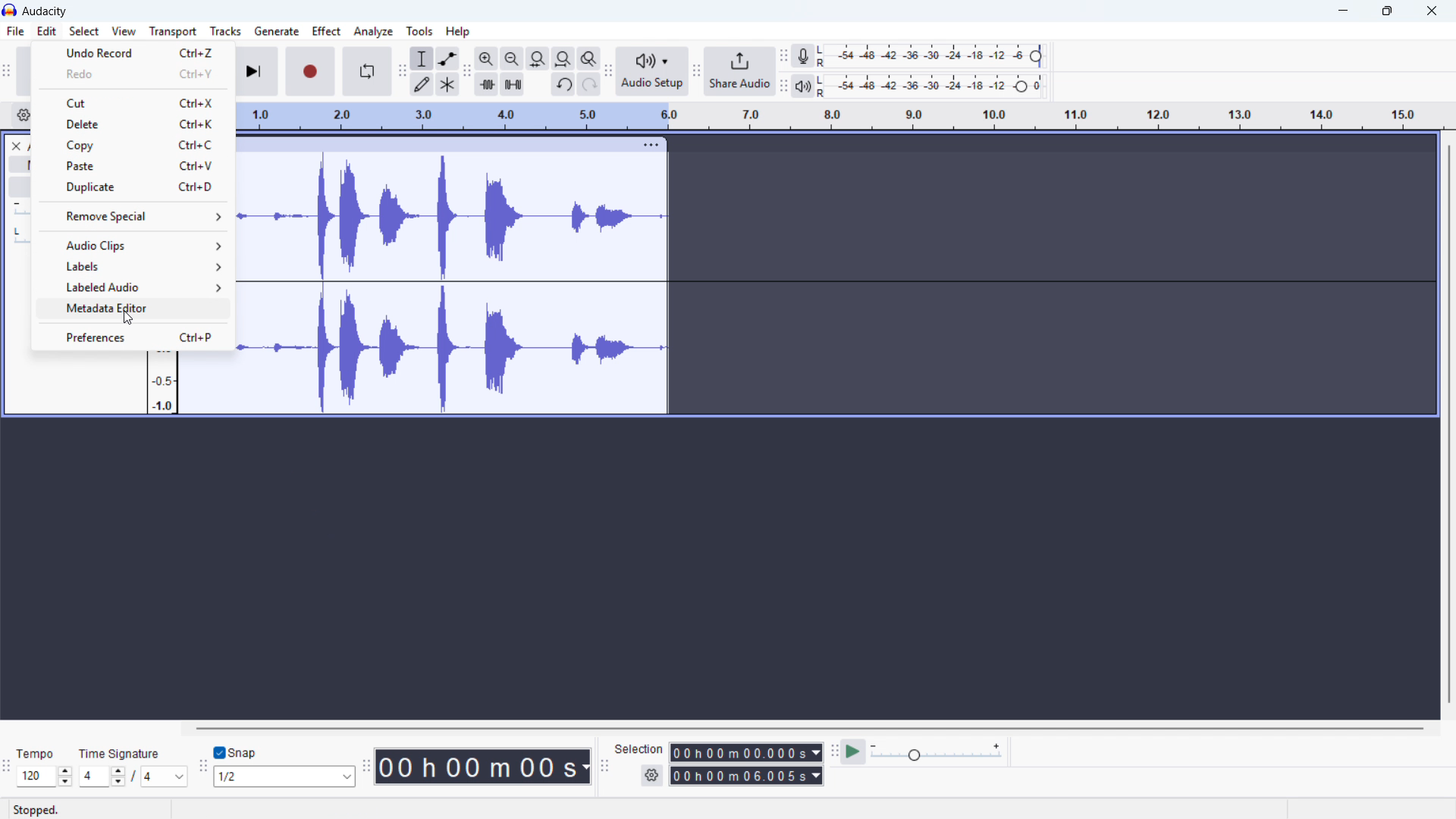  Describe the element at coordinates (310, 72) in the screenshot. I see `record` at that location.